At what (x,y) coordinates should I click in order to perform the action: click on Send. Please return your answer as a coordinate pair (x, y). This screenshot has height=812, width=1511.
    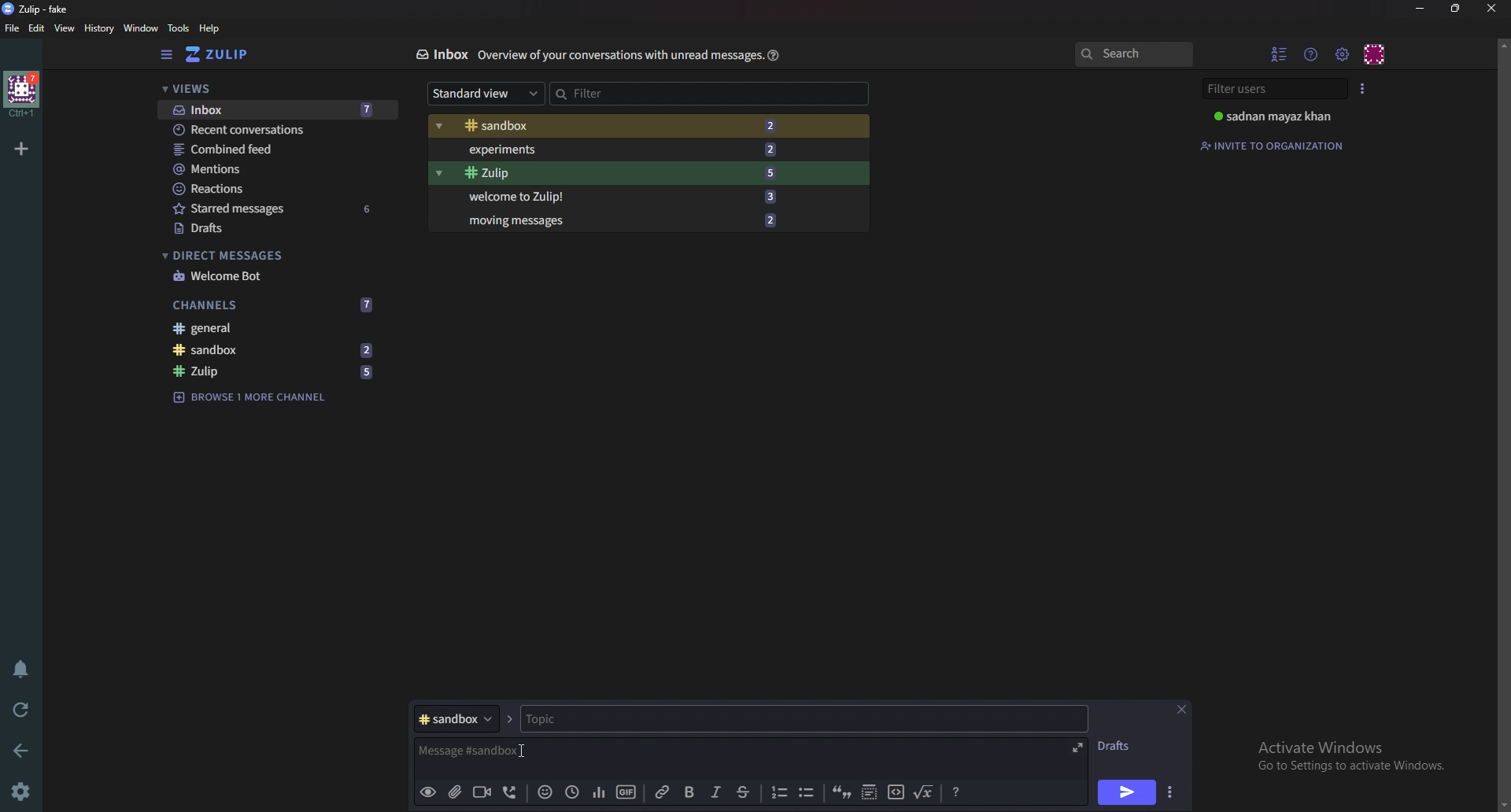
    Looking at the image, I should click on (1127, 792).